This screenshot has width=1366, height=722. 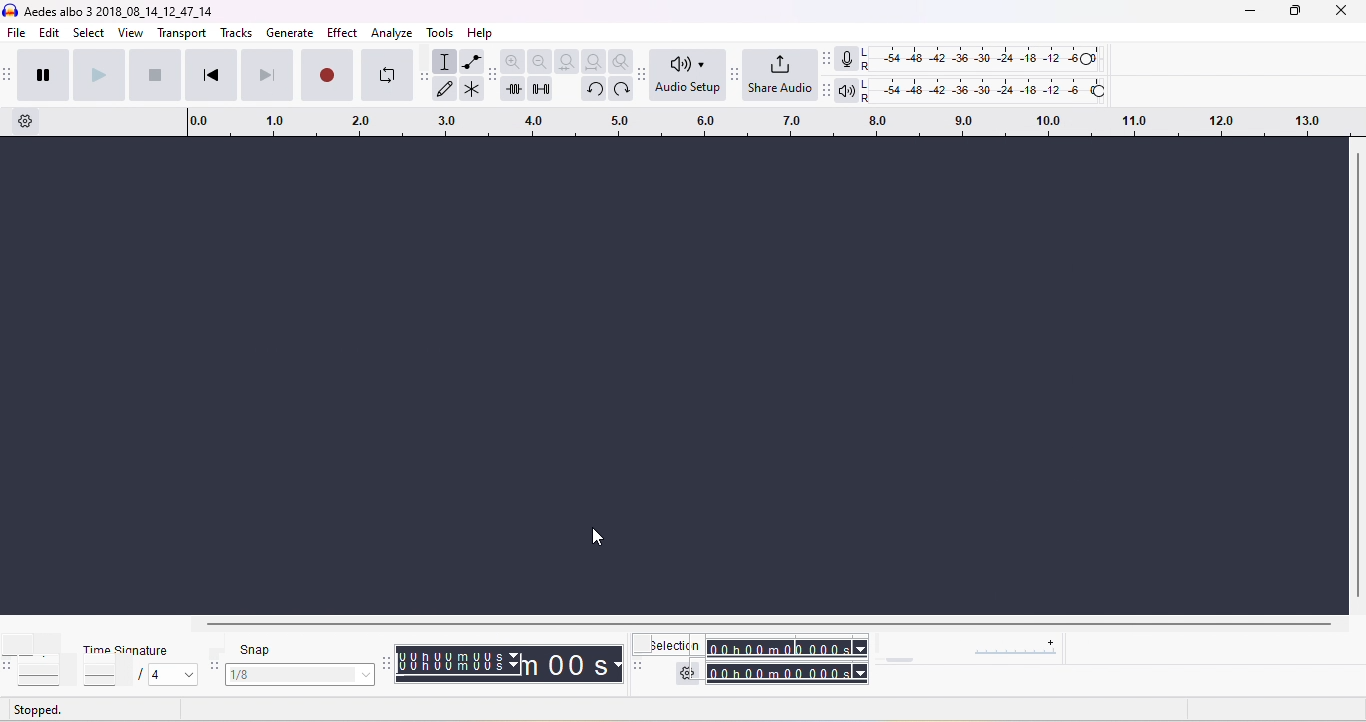 What do you see at coordinates (43, 73) in the screenshot?
I see `pause` at bounding box center [43, 73].